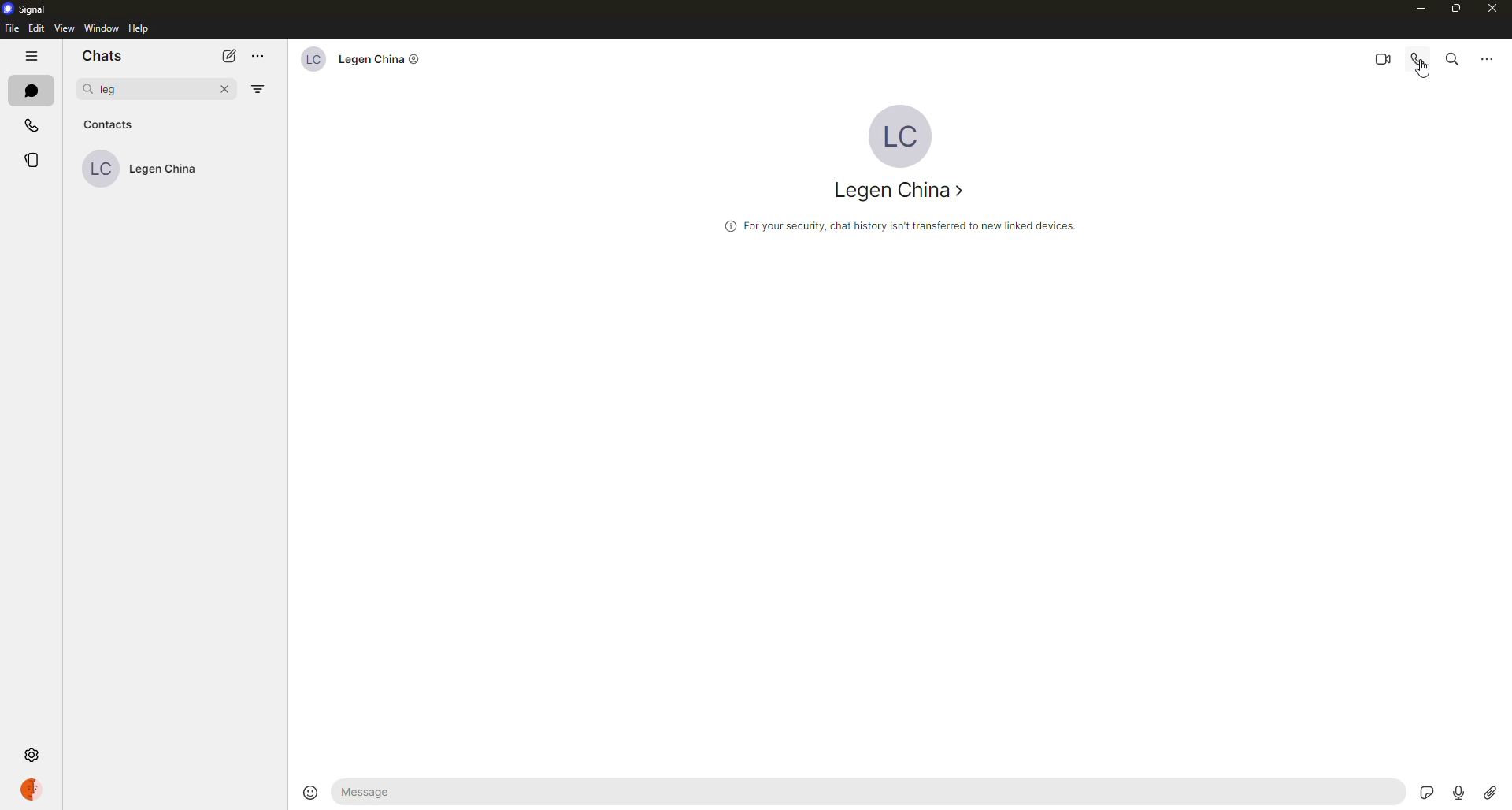 This screenshot has height=810, width=1512. I want to click on hide tabs, so click(33, 58).